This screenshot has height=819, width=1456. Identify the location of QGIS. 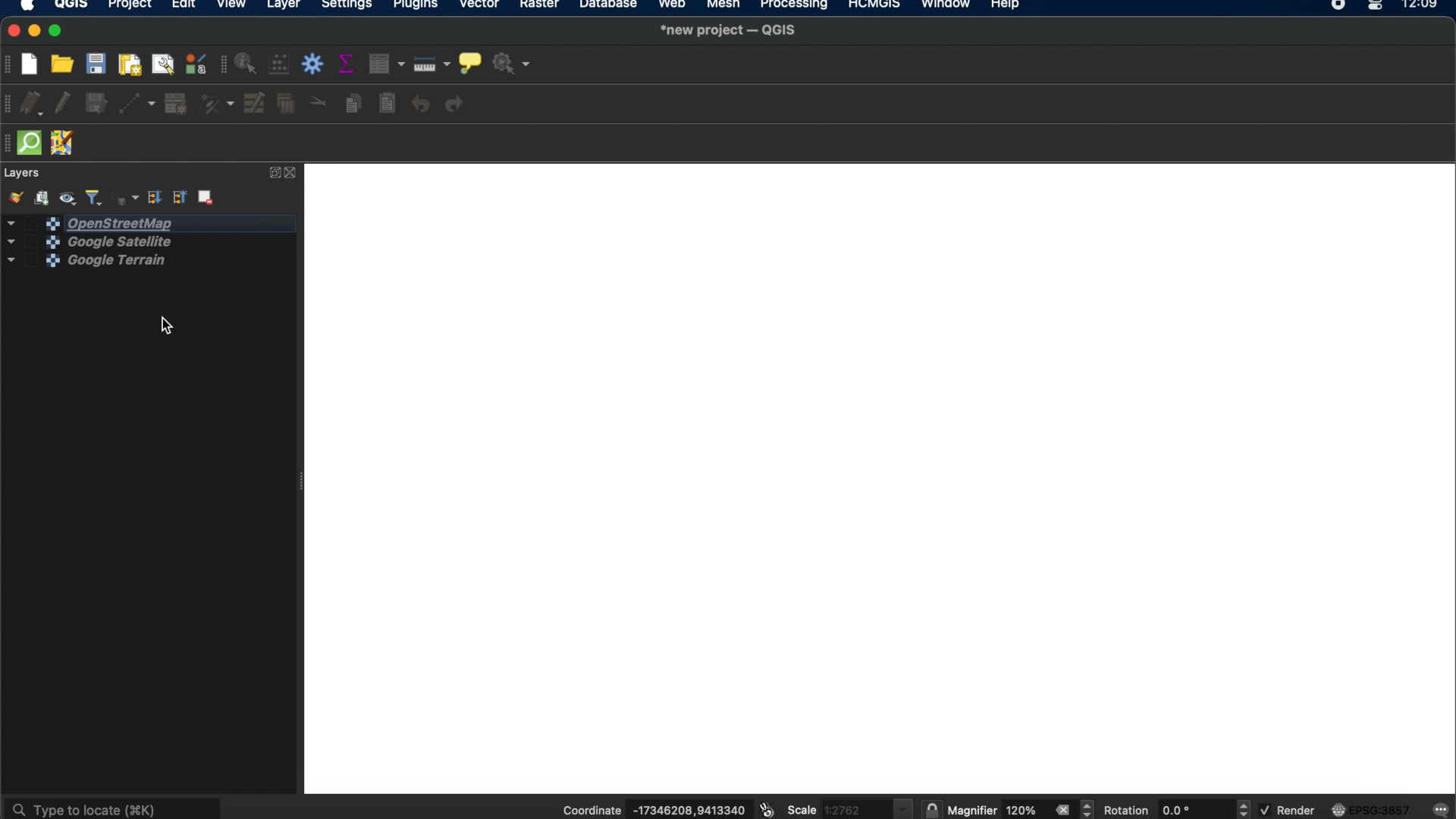
(71, 6).